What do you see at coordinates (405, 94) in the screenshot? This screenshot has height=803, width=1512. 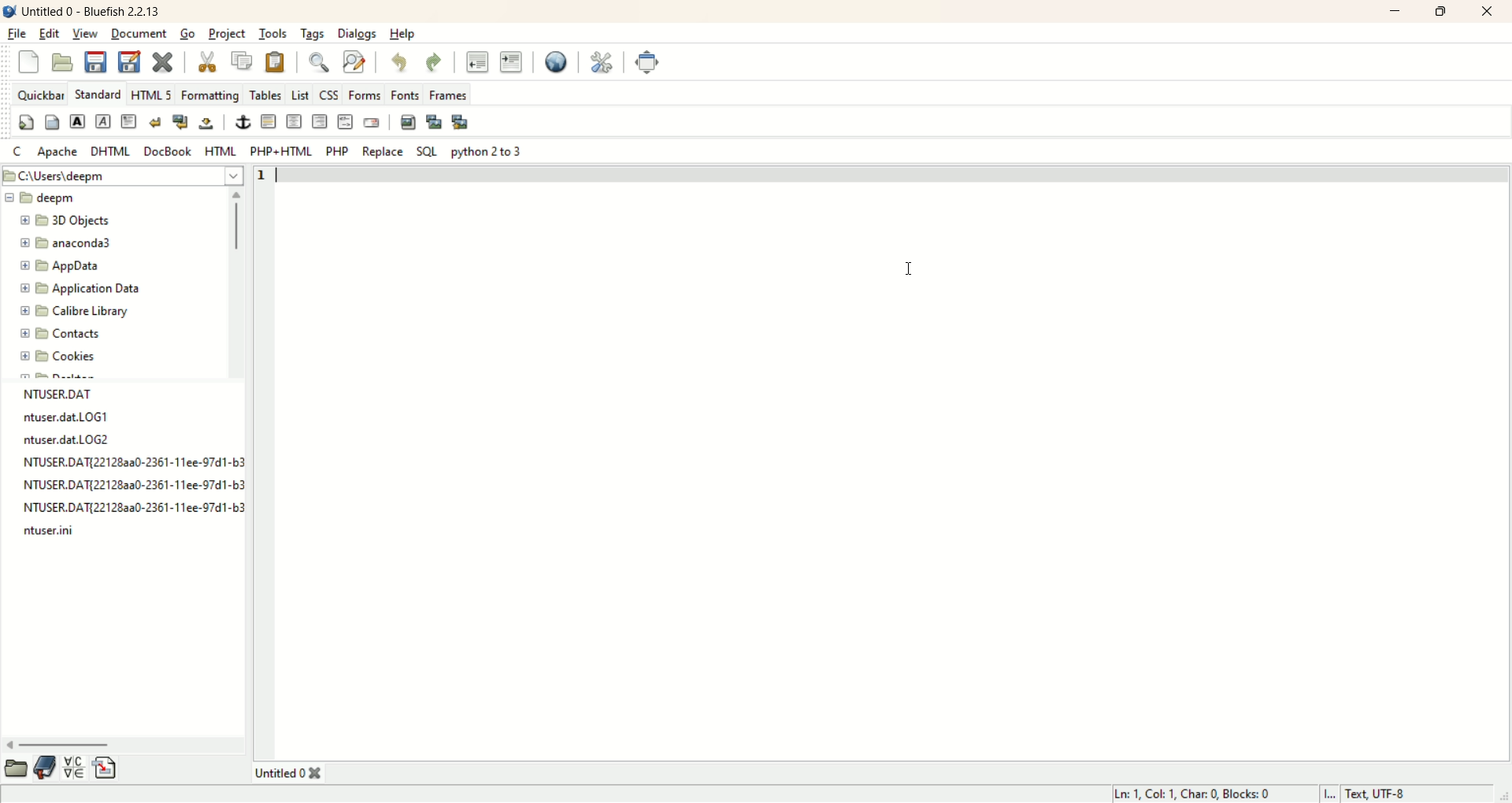 I see `fonts` at bounding box center [405, 94].